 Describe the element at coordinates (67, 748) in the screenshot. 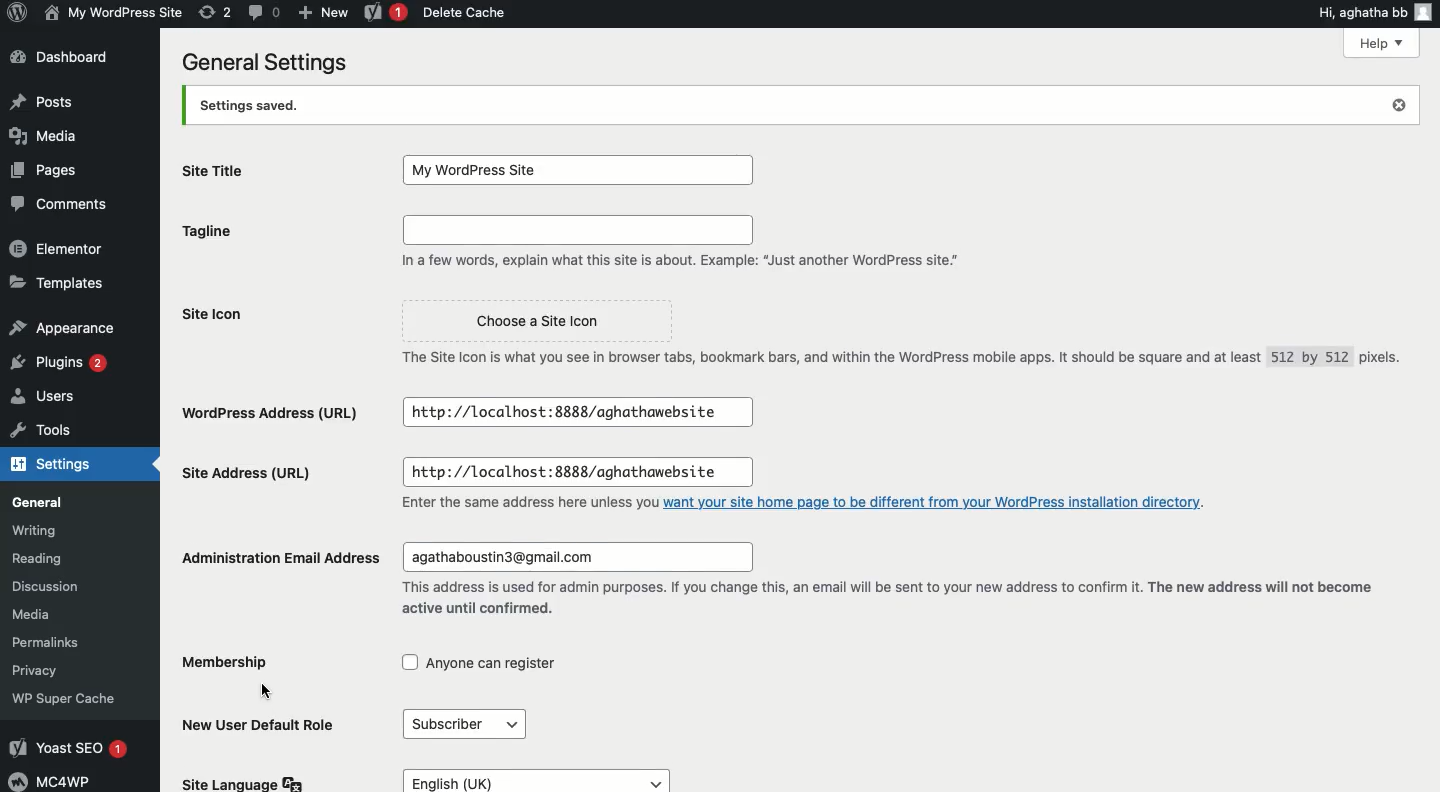

I see `Yoast SEO` at that location.